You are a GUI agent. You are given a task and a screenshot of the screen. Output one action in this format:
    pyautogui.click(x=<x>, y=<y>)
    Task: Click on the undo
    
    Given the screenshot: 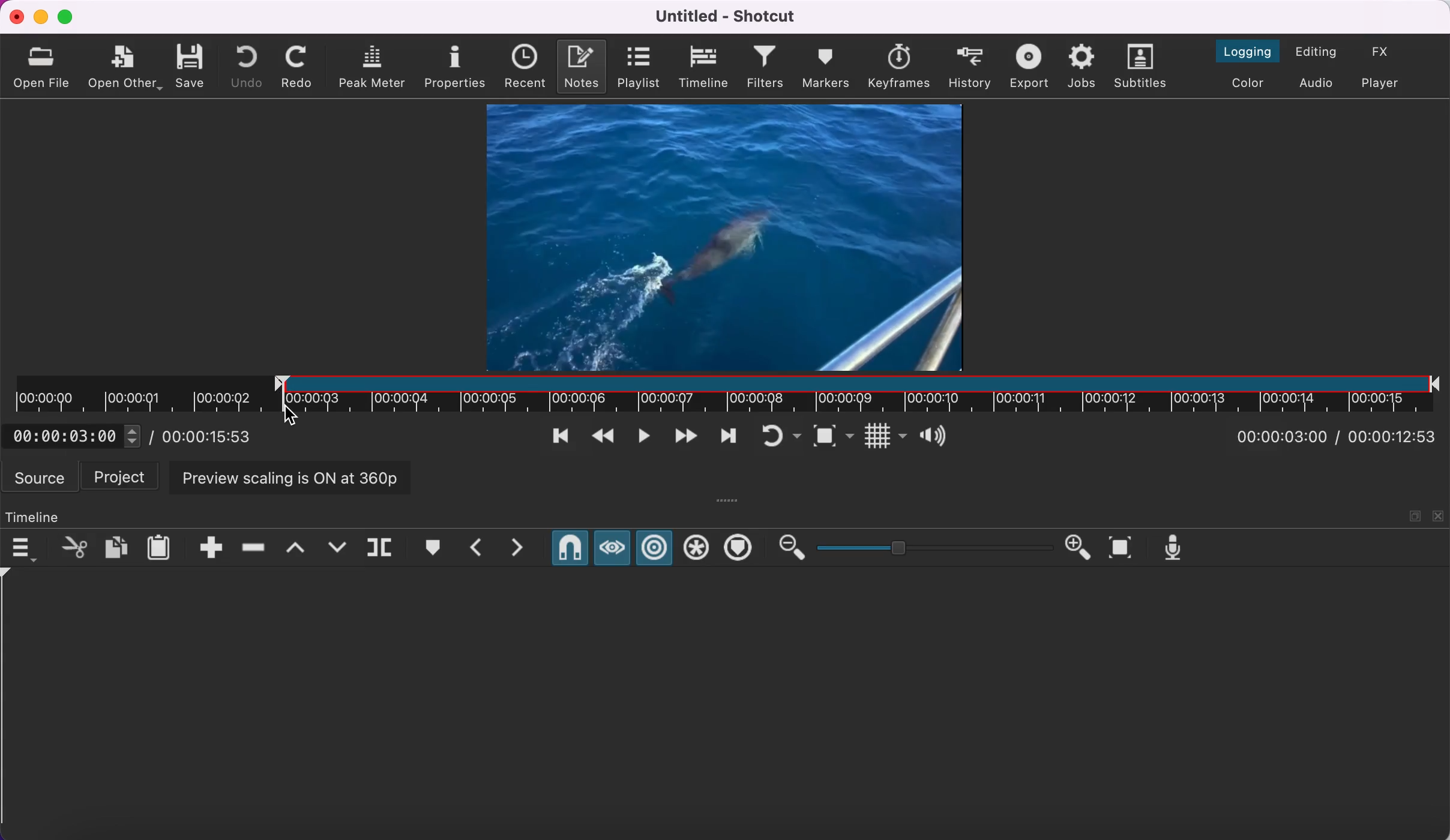 What is the action you would take?
    pyautogui.click(x=249, y=65)
    